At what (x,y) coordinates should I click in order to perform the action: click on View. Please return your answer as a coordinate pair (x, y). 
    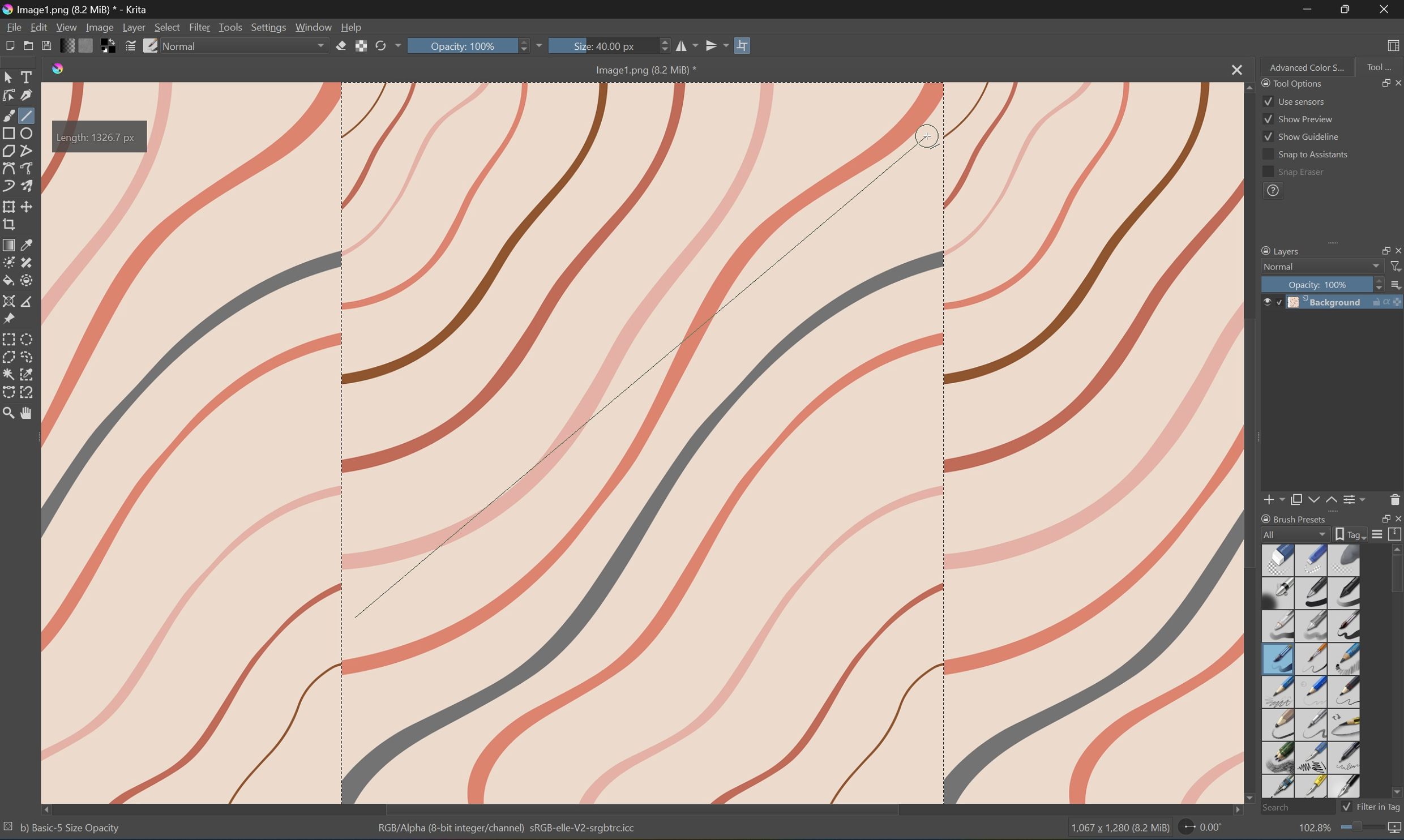
    Looking at the image, I should click on (66, 27).